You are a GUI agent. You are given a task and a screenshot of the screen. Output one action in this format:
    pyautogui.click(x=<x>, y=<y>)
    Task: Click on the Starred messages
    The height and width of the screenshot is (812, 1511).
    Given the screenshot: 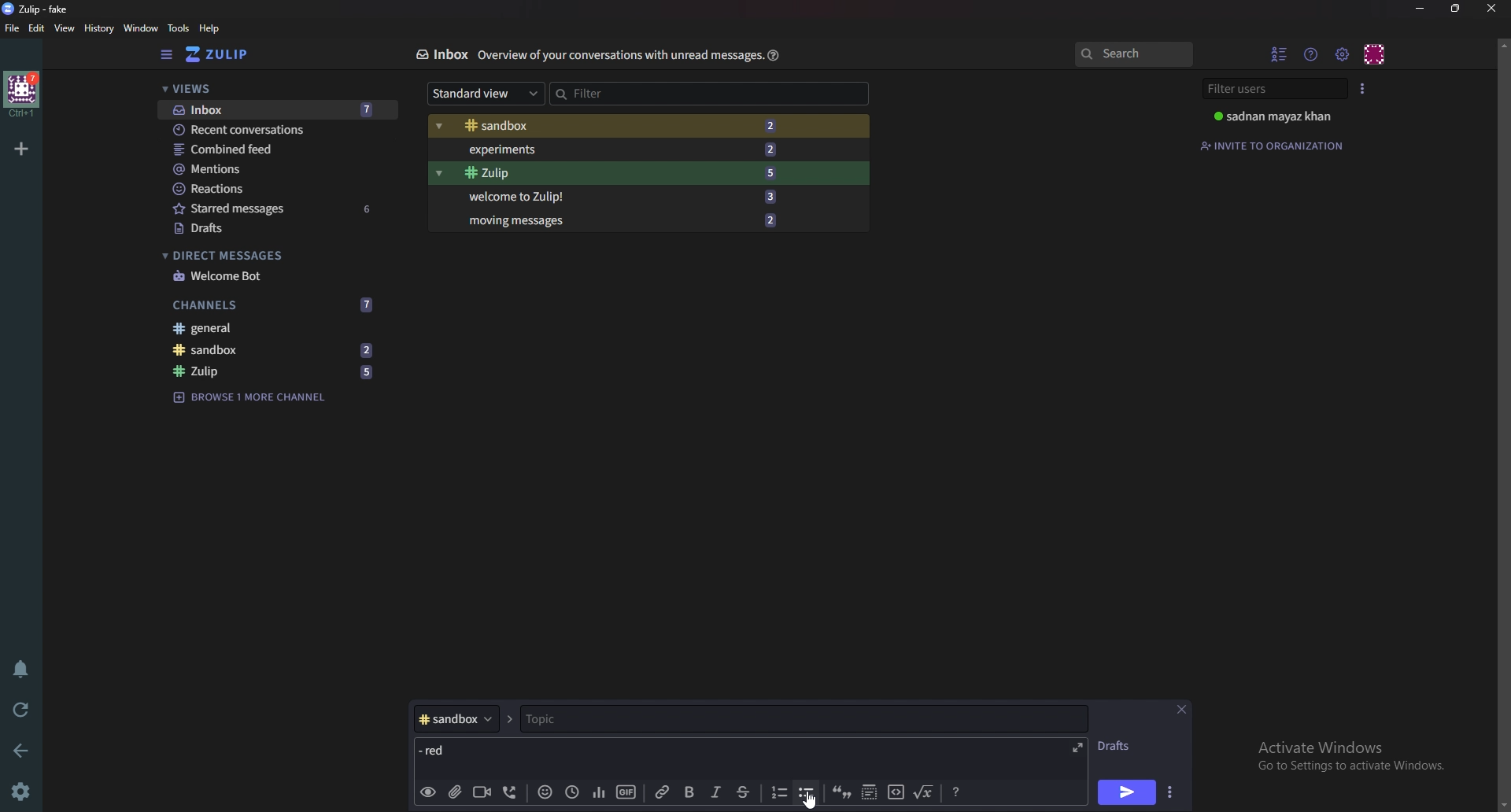 What is the action you would take?
    pyautogui.click(x=278, y=208)
    